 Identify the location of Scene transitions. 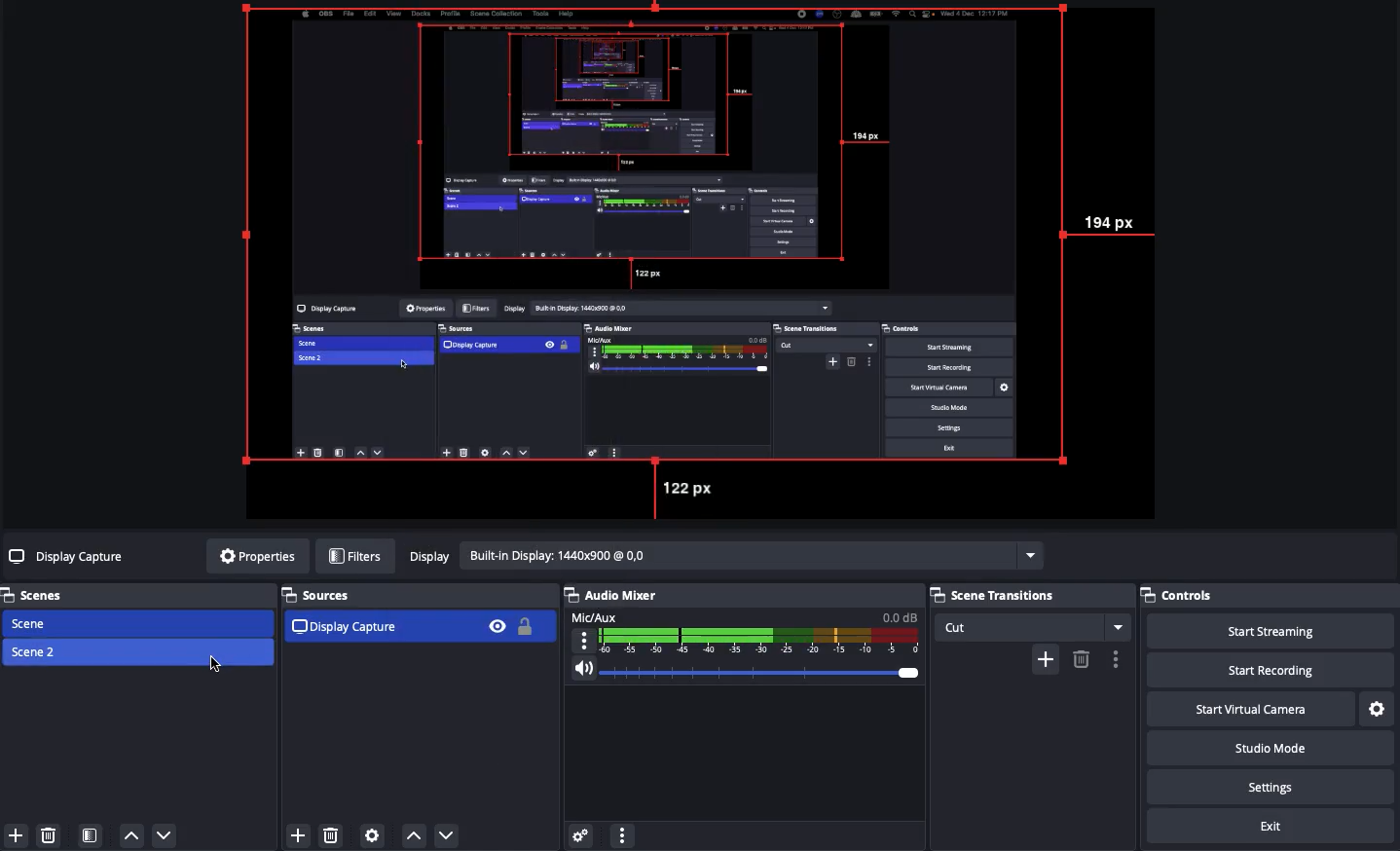
(1026, 596).